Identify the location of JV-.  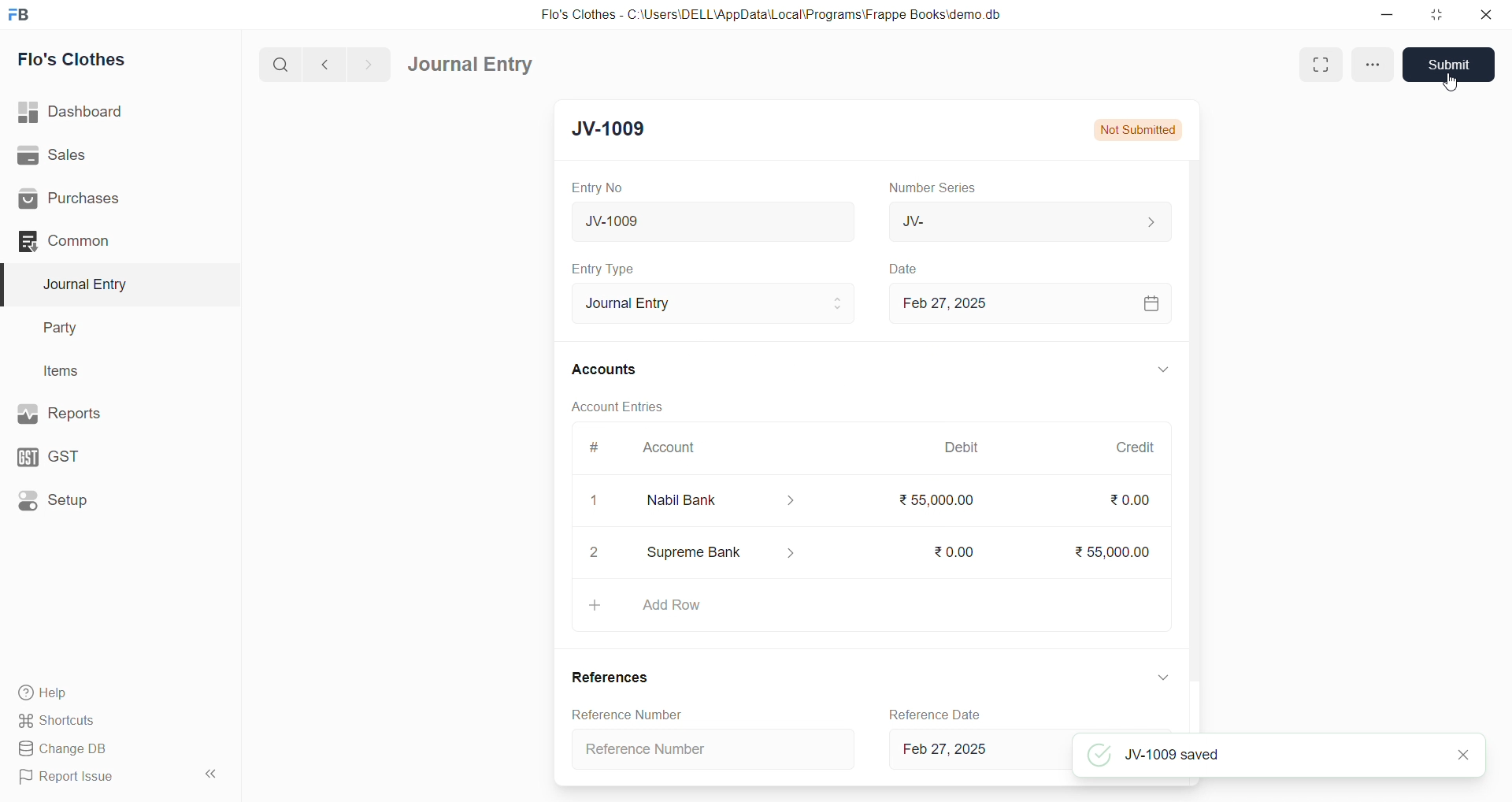
(1028, 219).